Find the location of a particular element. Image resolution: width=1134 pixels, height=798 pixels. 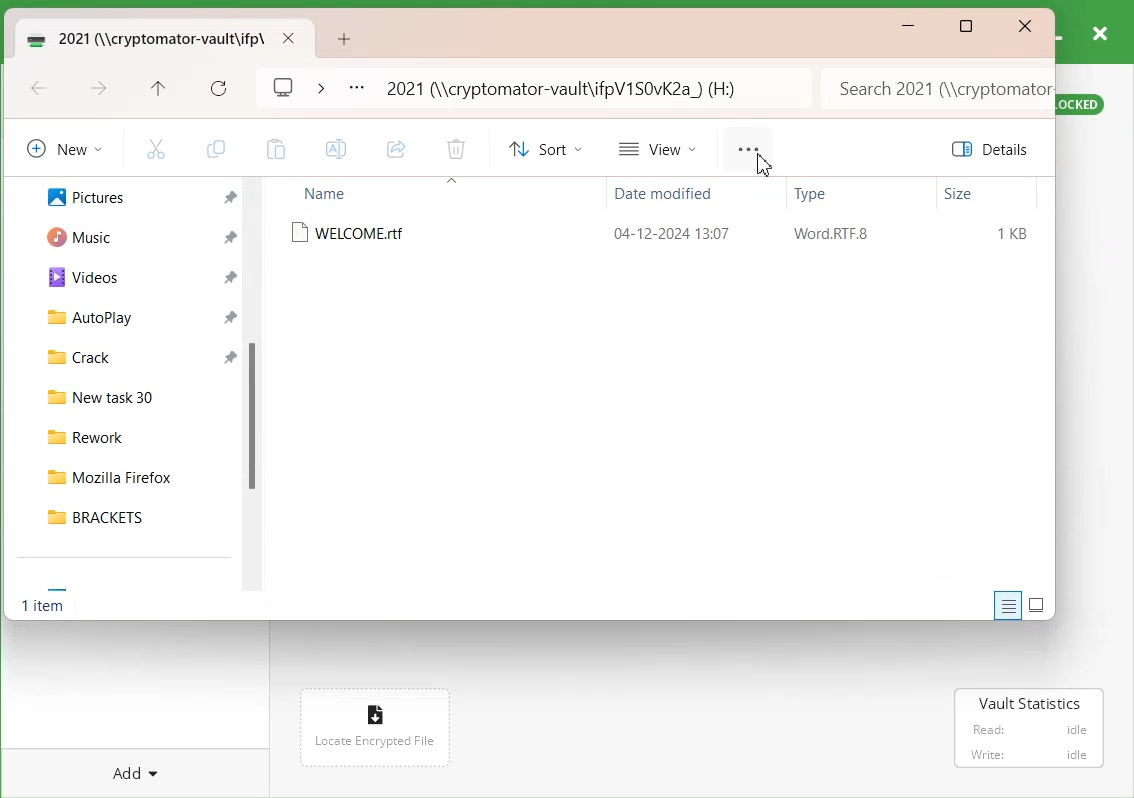

Search bar is located at coordinates (935, 88).